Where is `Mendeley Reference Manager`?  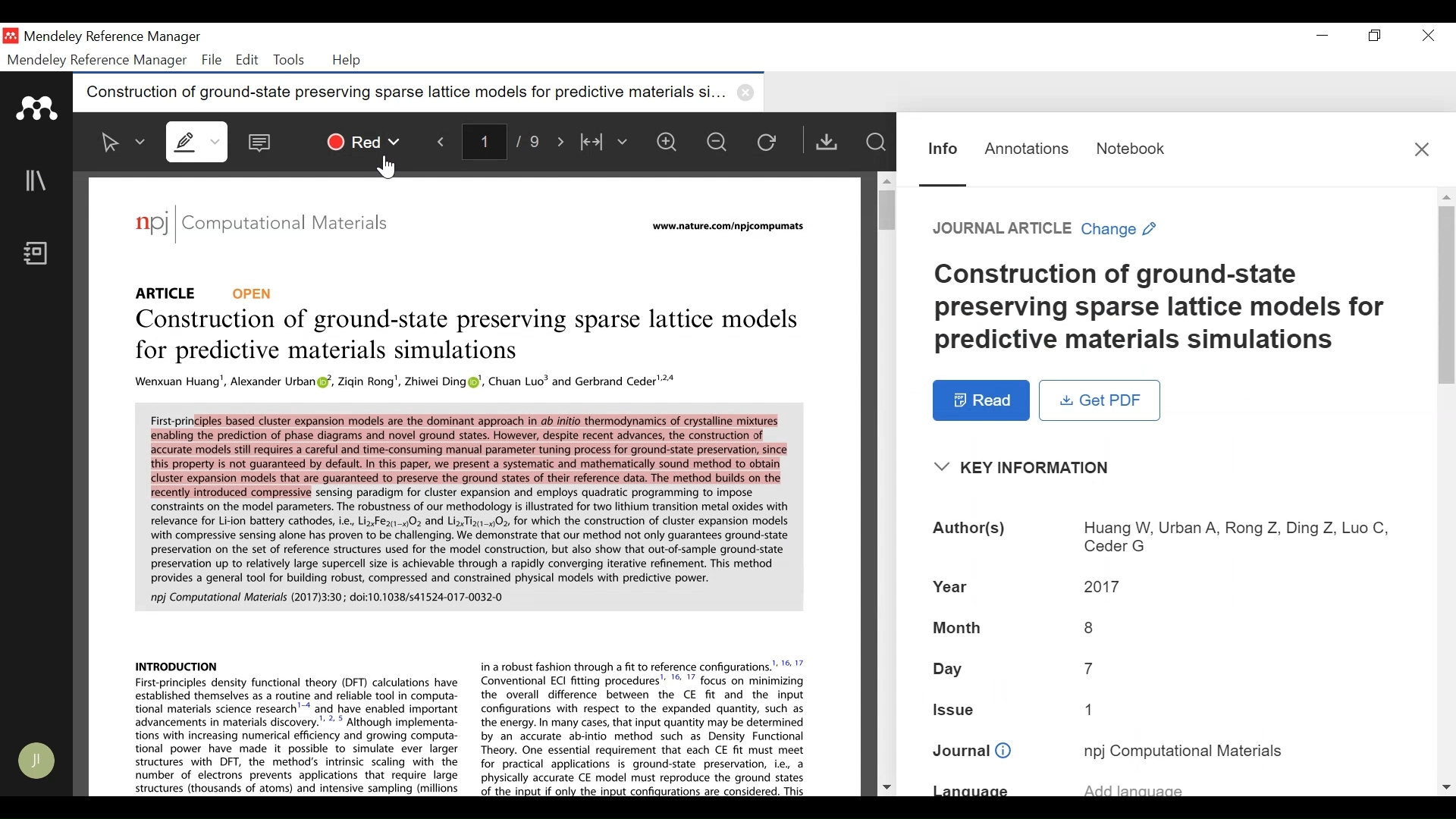 Mendeley Reference Manager is located at coordinates (116, 38).